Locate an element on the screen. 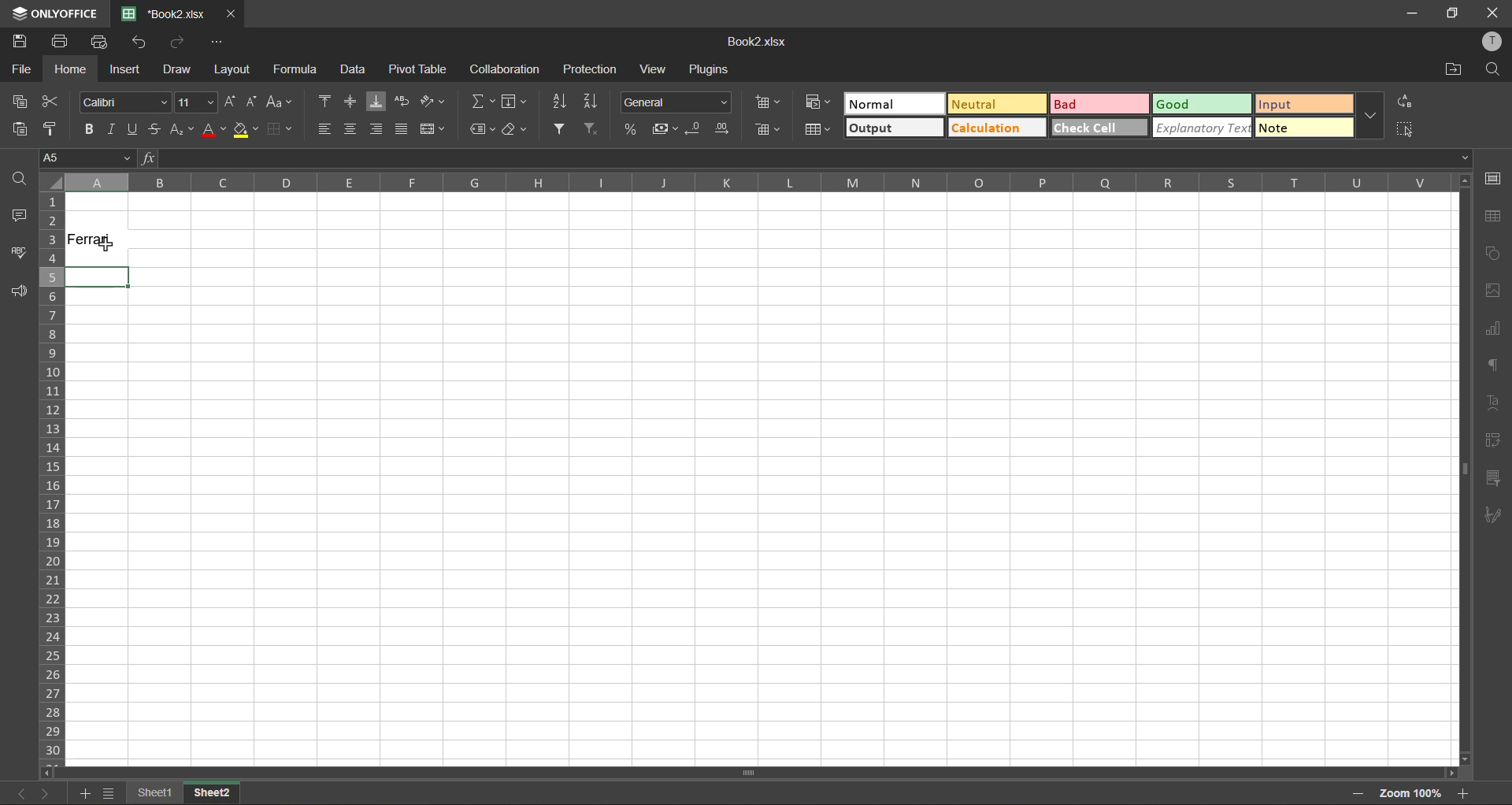 The width and height of the screenshot is (1512, 805). pivot table is located at coordinates (1496, 440).